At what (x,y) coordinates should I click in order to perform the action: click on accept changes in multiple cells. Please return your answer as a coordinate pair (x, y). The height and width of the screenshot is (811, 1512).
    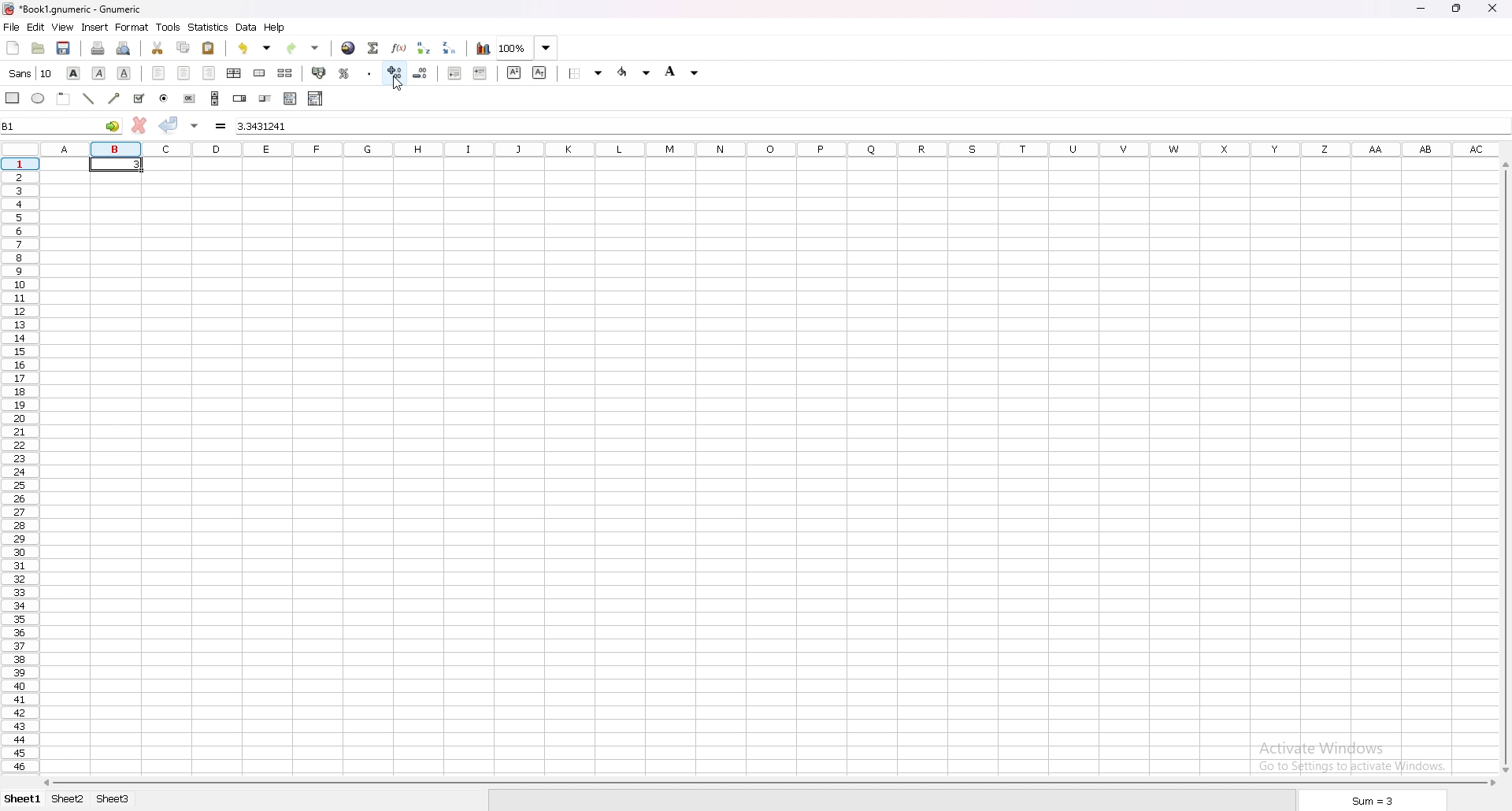
    Looking at the image, I should click on (195, 126).